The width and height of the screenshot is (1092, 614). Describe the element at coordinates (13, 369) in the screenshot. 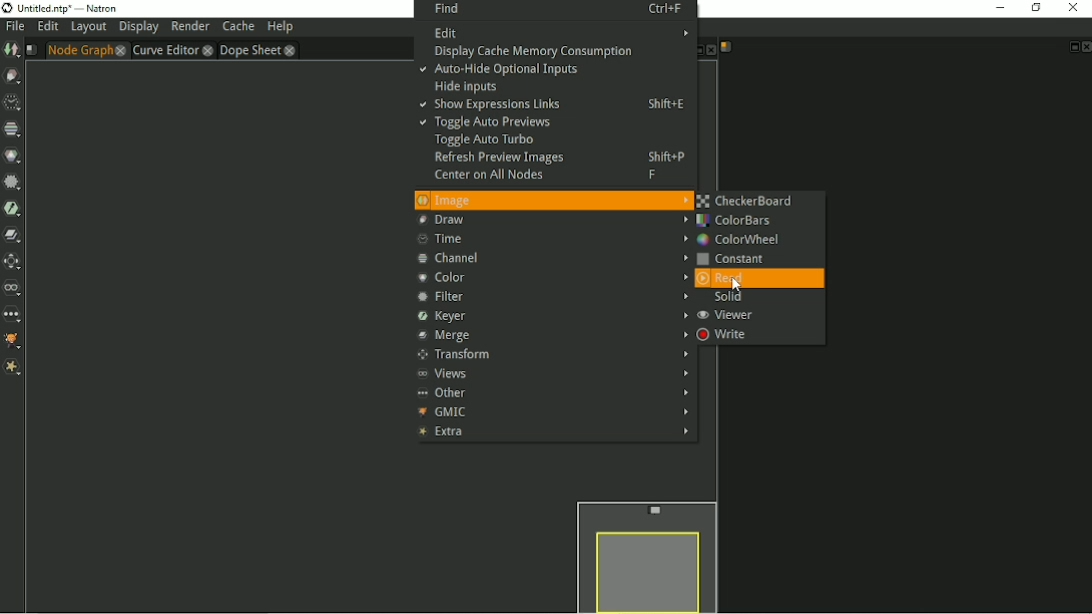

I see `Extra` at that location.